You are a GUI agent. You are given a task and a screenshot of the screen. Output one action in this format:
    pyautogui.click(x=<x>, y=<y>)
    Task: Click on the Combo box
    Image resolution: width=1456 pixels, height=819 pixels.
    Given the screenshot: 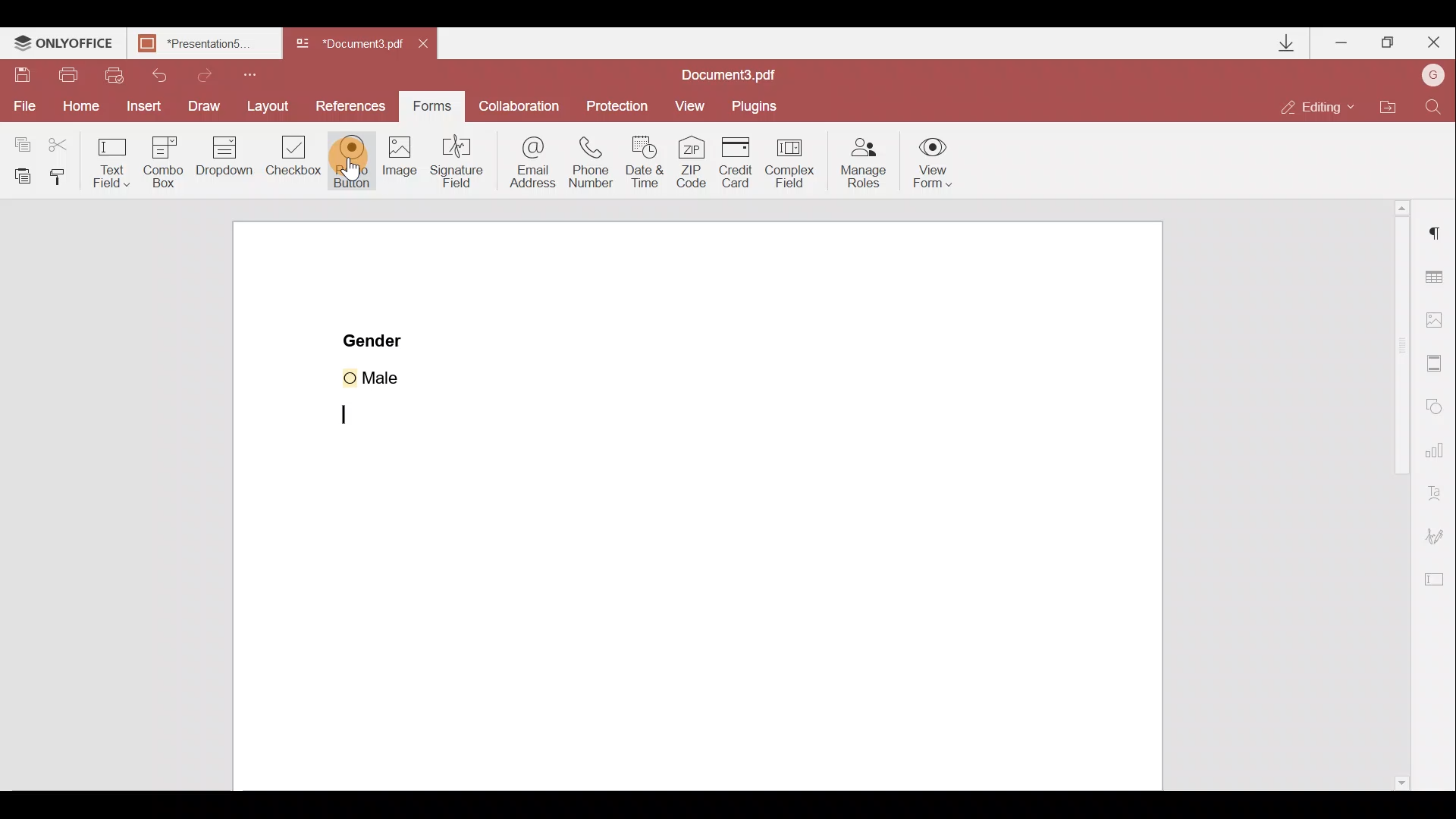 What is the action you would take?
    pyautogui.click(x=160, y=160)
    